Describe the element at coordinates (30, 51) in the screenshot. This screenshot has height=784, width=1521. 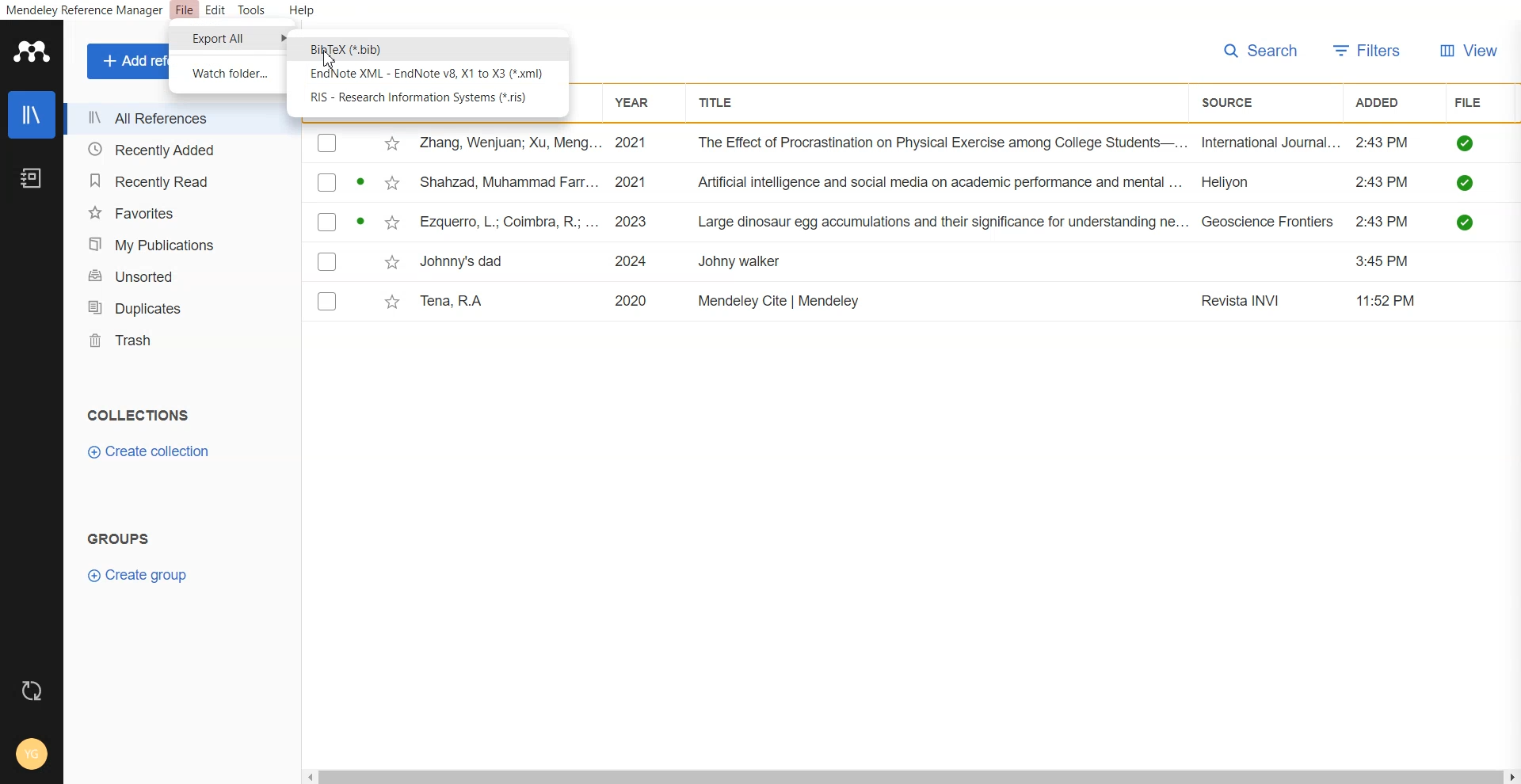
I see `Logo` at that location.